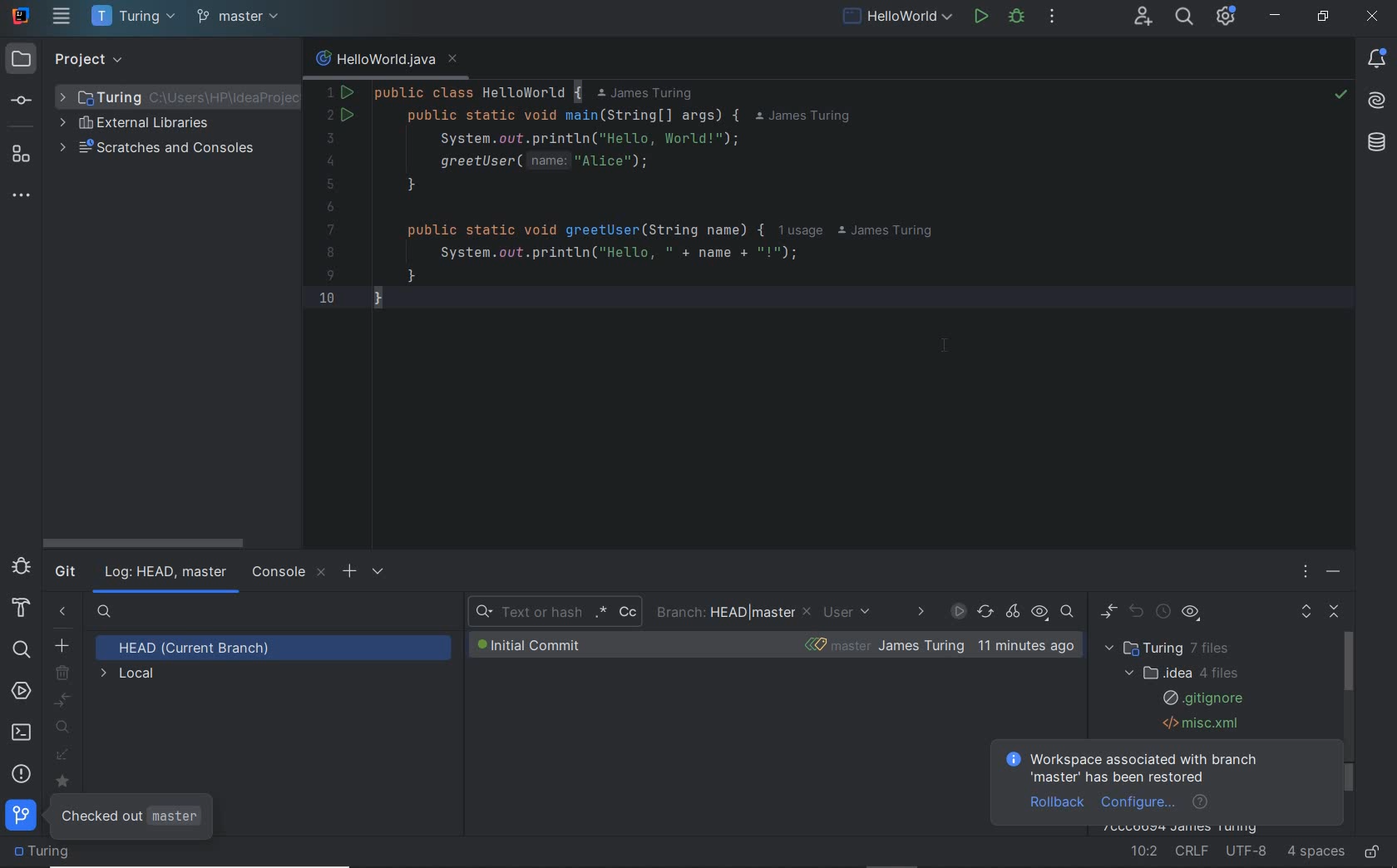 Image resolution: width=1397 pixels, height=868 pixels. Describe the element at coordinates (330, 208) in the screenshot. I see `6` at that location.